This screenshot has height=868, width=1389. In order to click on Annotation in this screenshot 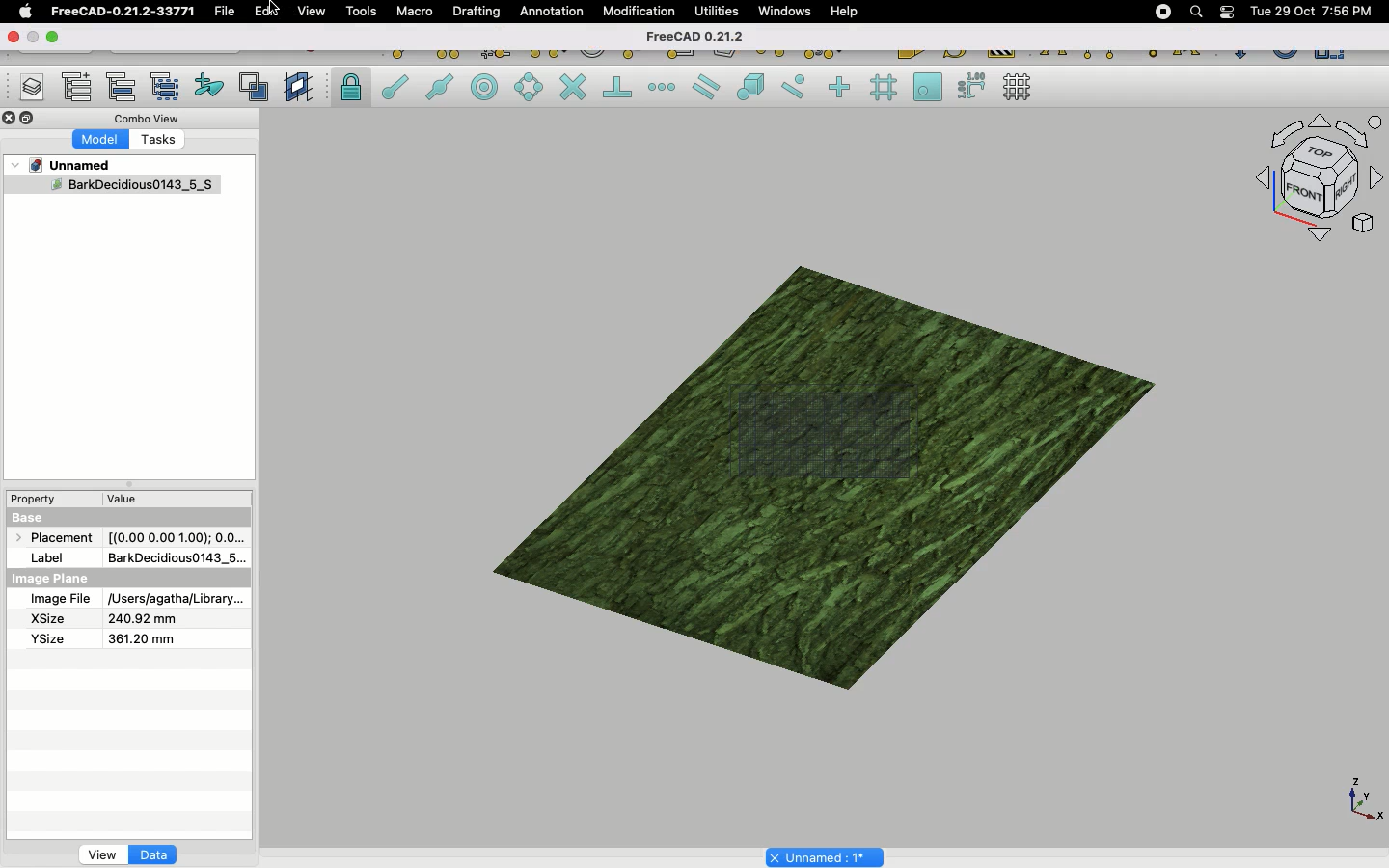, I will do `click(552, 11)`.